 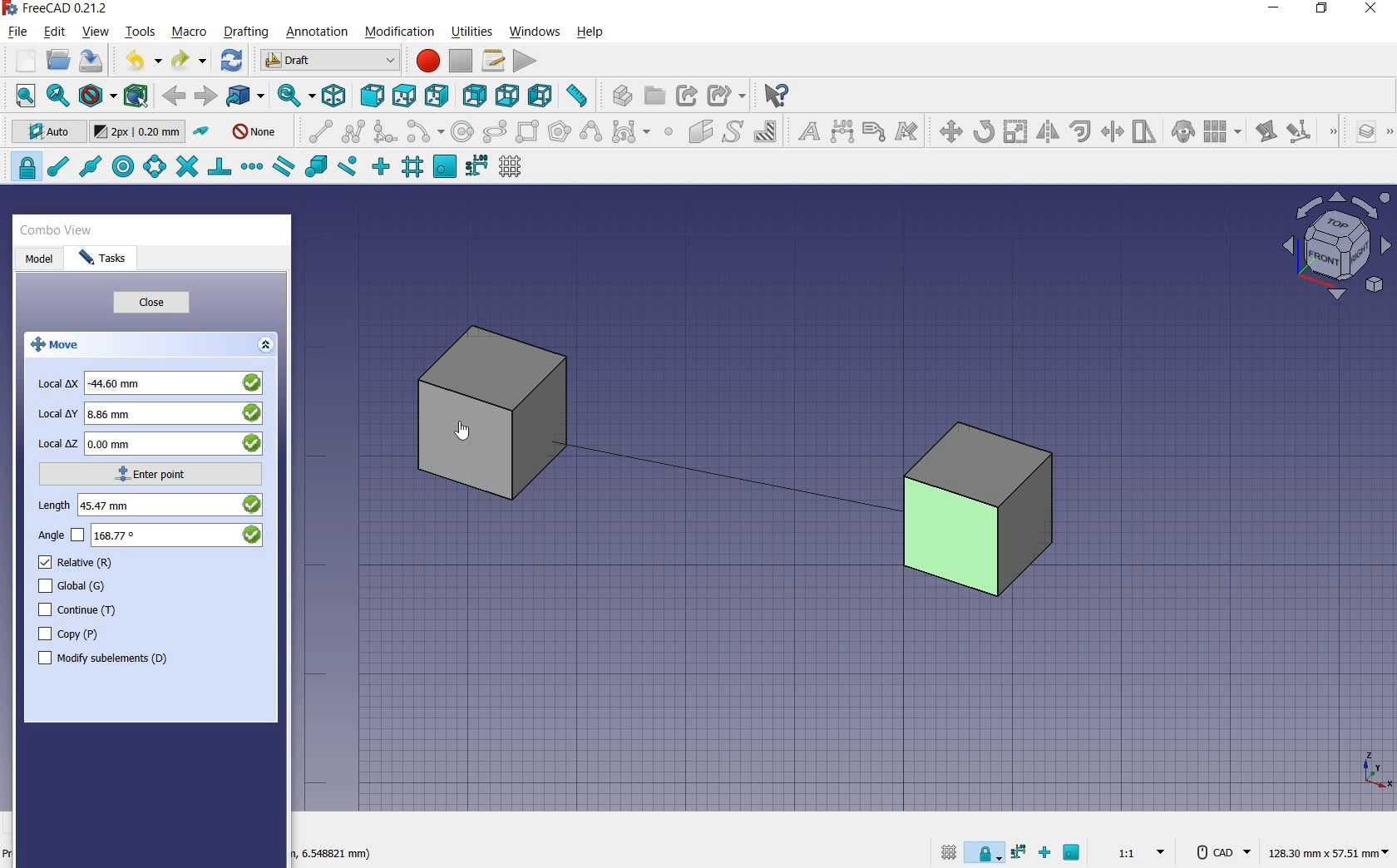 I want to click on circle, so click(x=464, y=131).